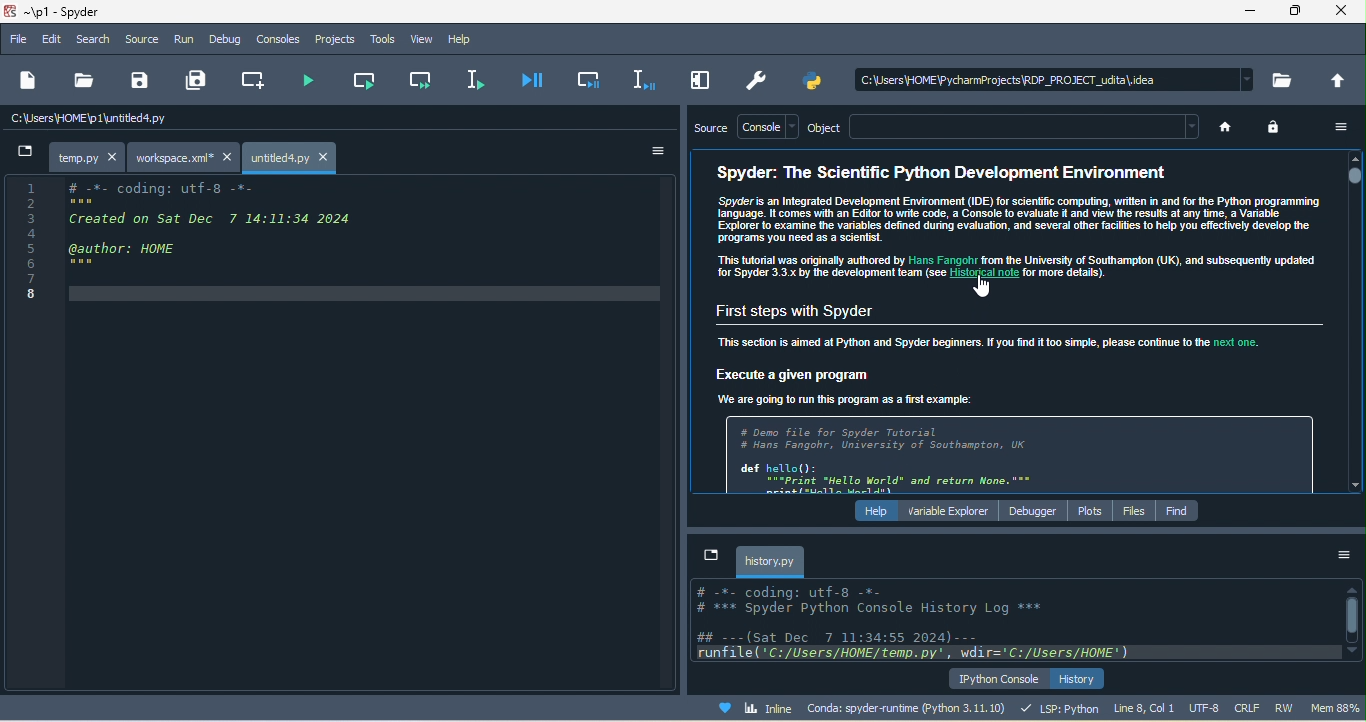  Describe the element at coordinates (1338, 555) in the screenshot. I see `option` at that location.